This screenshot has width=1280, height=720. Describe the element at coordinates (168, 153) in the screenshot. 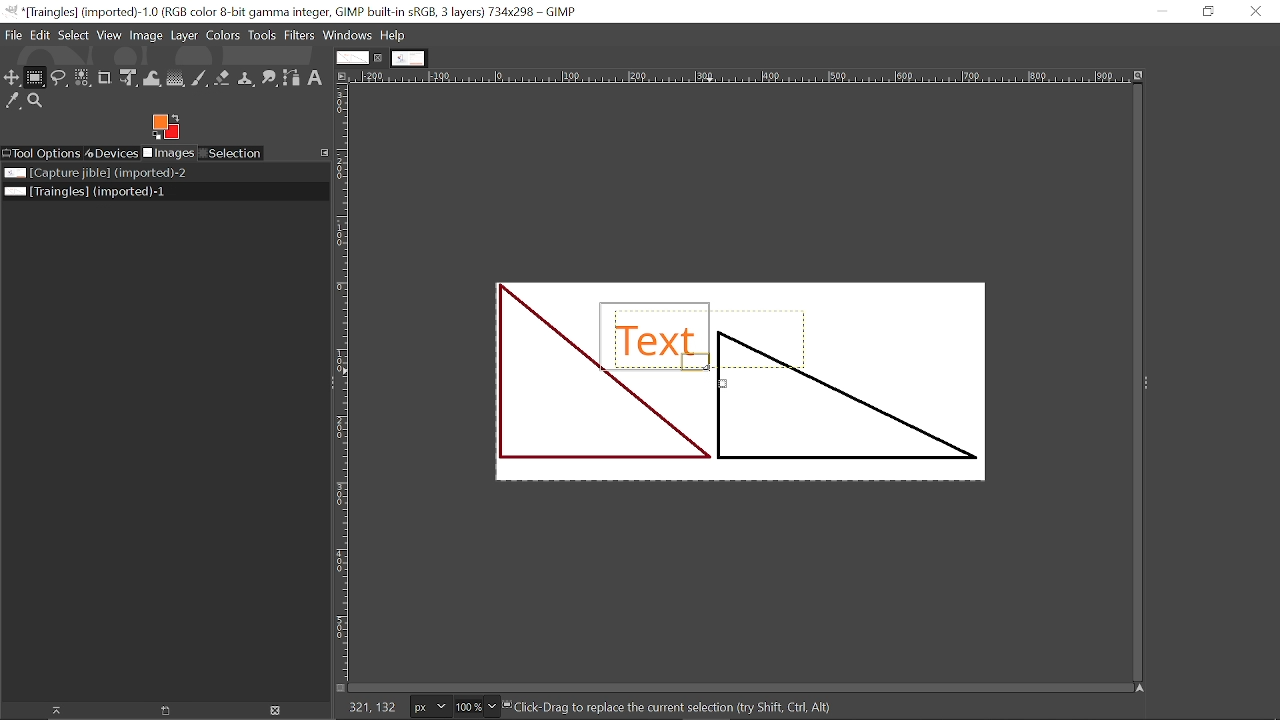

I see `Imges` at that location.